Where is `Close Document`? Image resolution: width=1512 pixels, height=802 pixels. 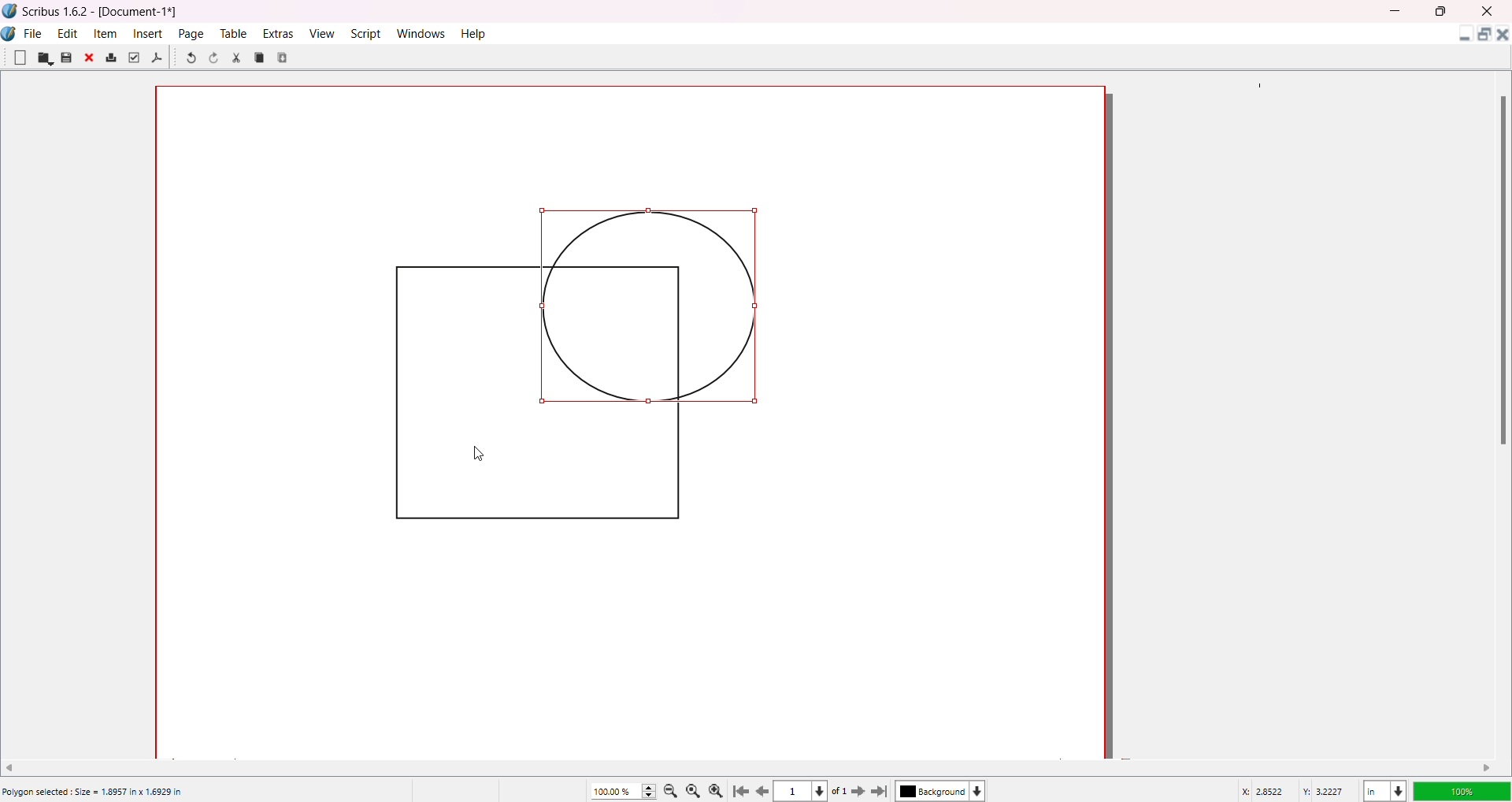 Close Document is located at coordinates (1503, 37).